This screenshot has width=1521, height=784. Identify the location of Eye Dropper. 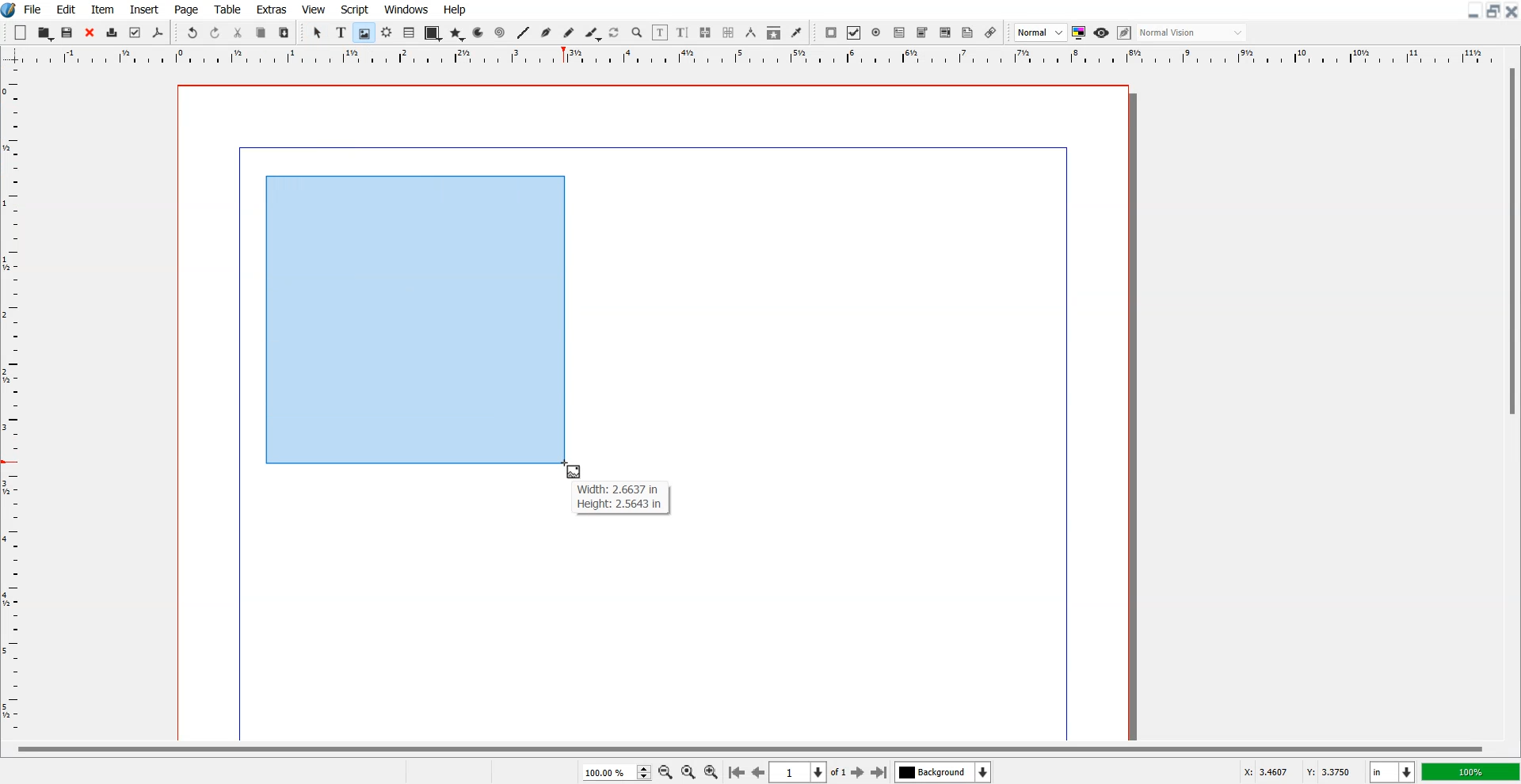
(796, 32).